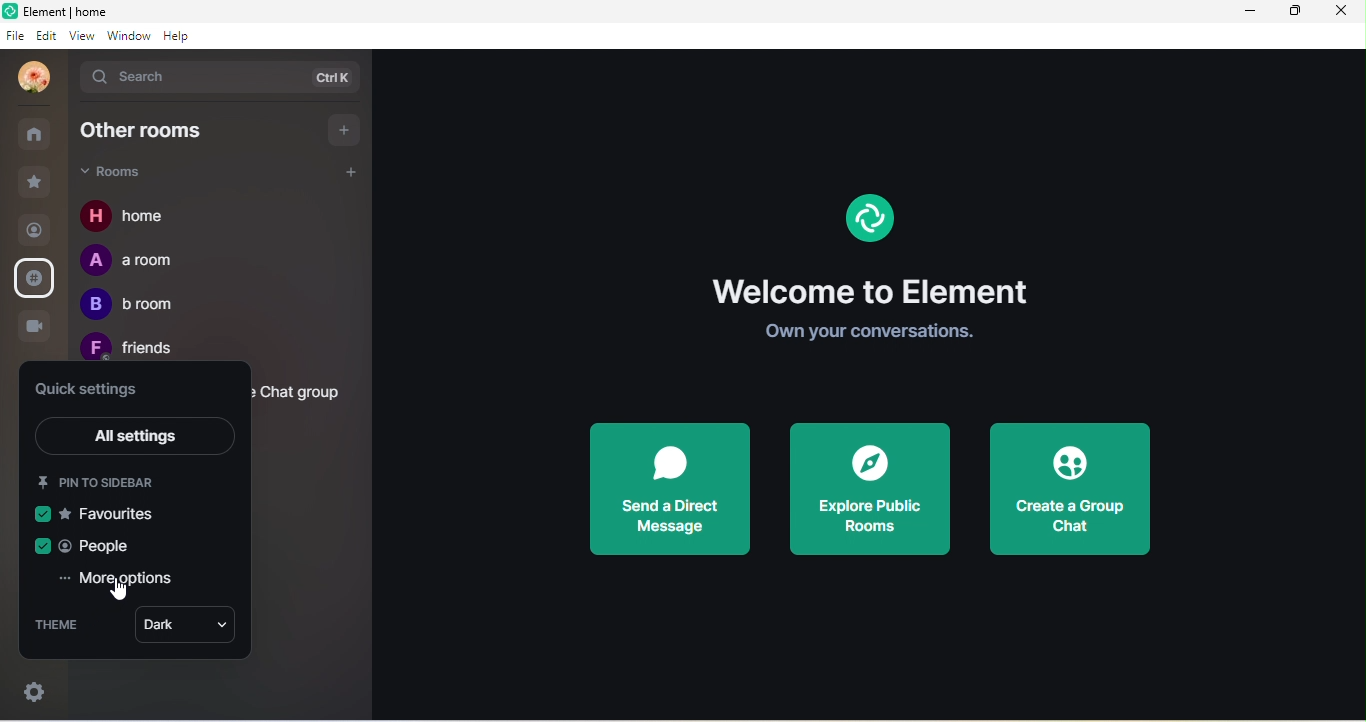 This screenshot has height=722, width=1366. I want to click on people, so click(86, 546).